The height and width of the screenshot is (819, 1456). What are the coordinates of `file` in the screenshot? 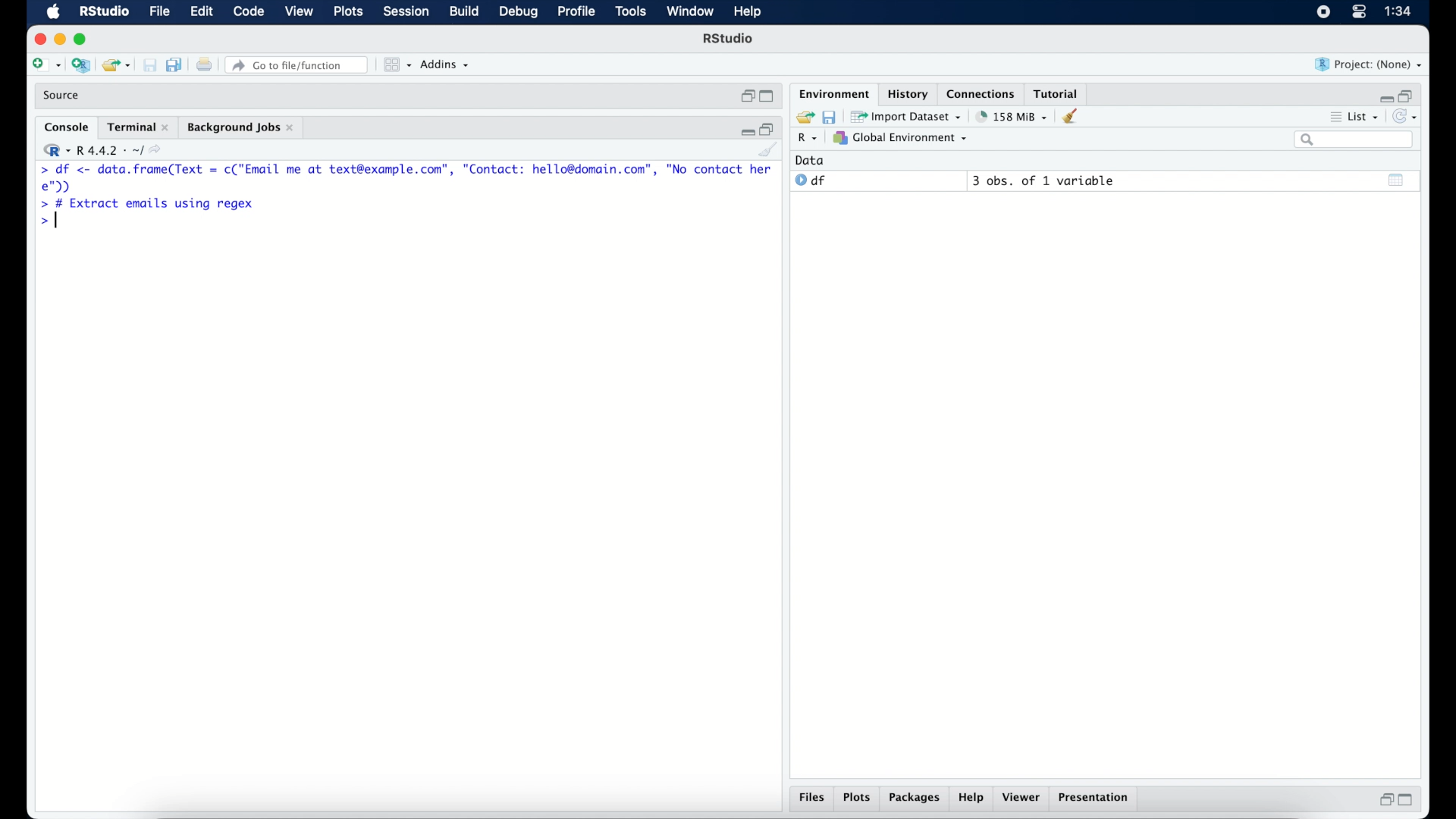 It's located at (160, 12).